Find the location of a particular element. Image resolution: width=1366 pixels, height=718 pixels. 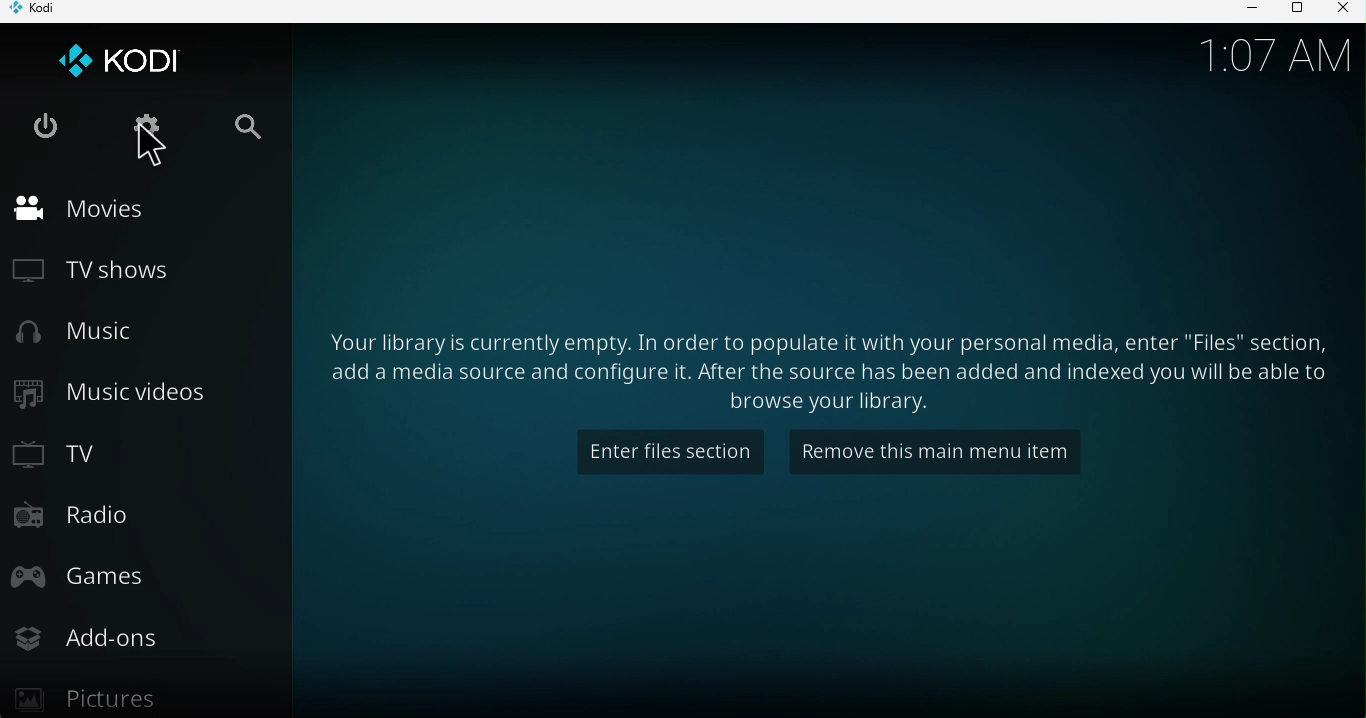

Maximize is located at coordinates (1295, 14).